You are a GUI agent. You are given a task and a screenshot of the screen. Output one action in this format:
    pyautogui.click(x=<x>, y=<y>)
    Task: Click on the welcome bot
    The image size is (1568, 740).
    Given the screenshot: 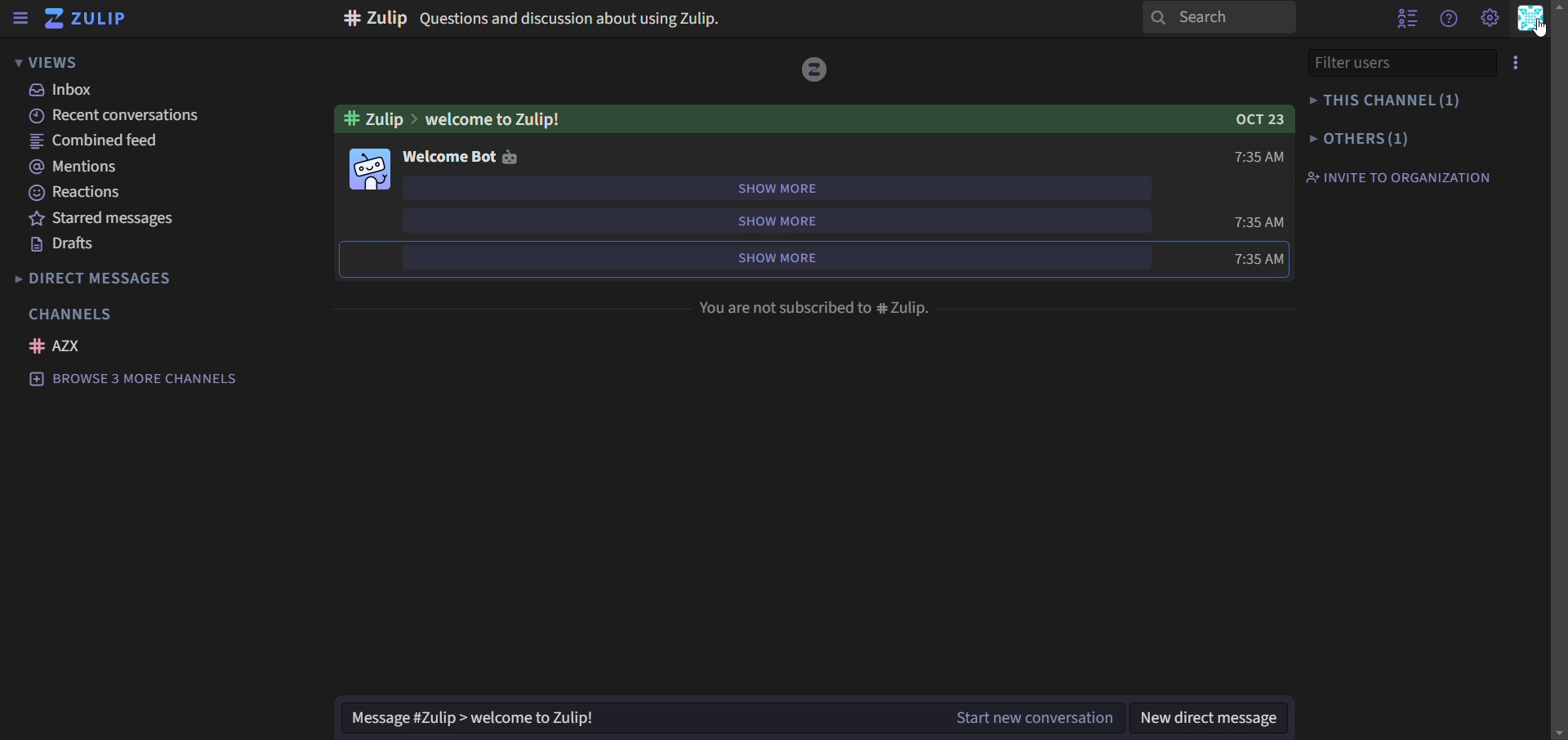 What is the action you would take?
    pyautogui.click(x=459, y=157)
    